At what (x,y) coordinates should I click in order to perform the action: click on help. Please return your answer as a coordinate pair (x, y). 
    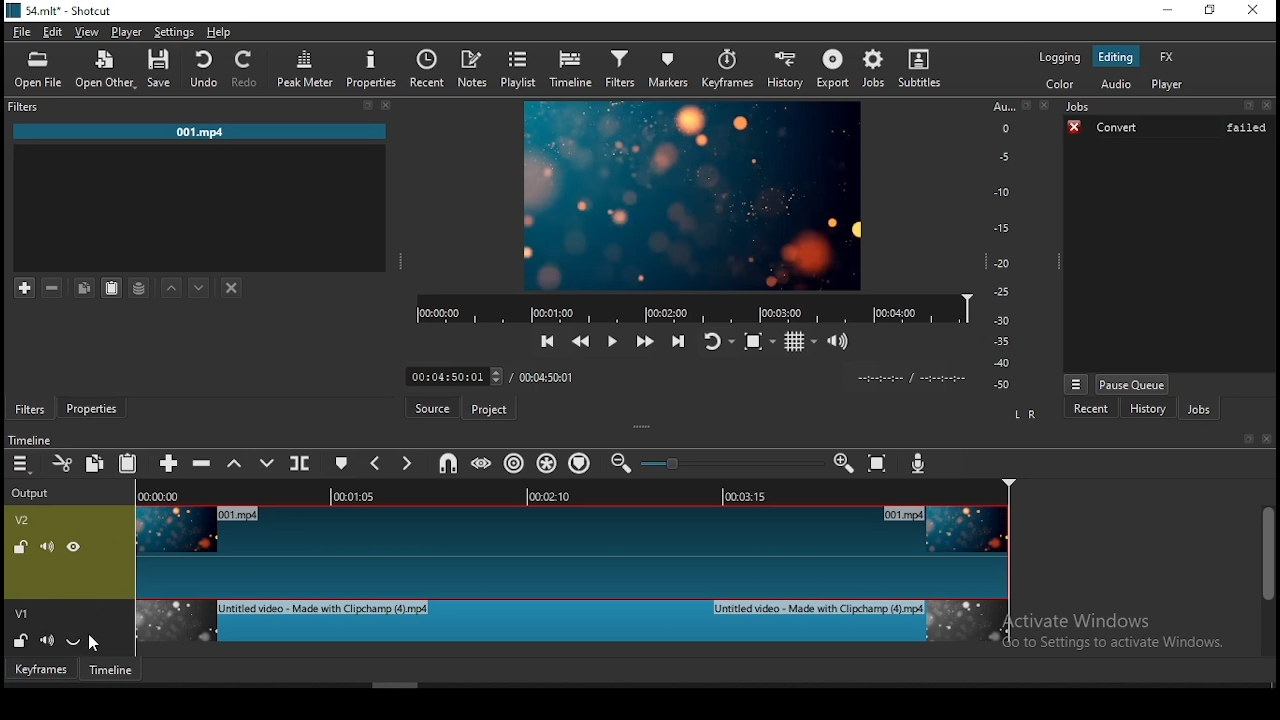
    Looking at the image, I should click on (219, 32).